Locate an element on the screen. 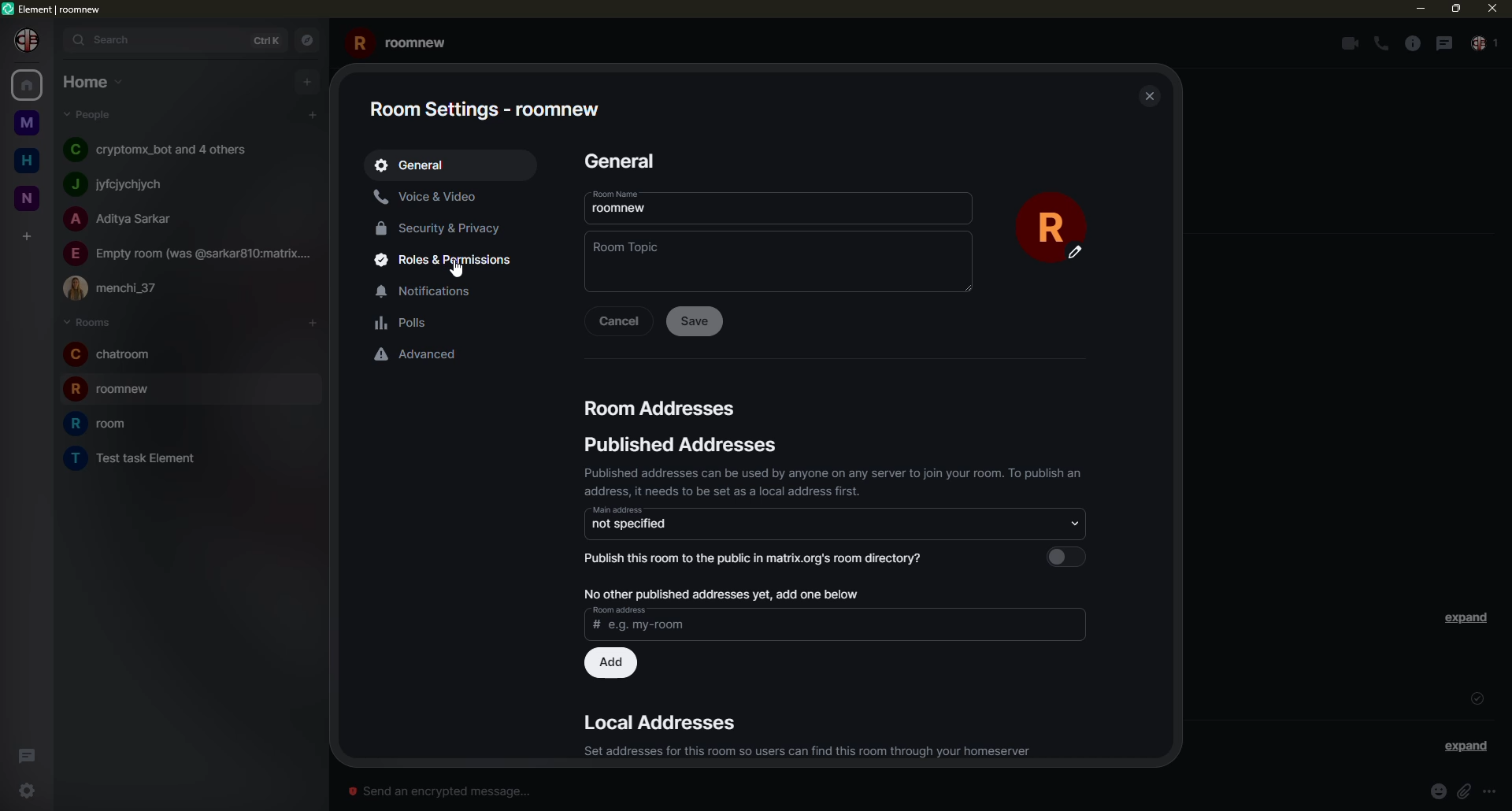 The image size is (1512, 811). address is located at coordinates (643, 520).